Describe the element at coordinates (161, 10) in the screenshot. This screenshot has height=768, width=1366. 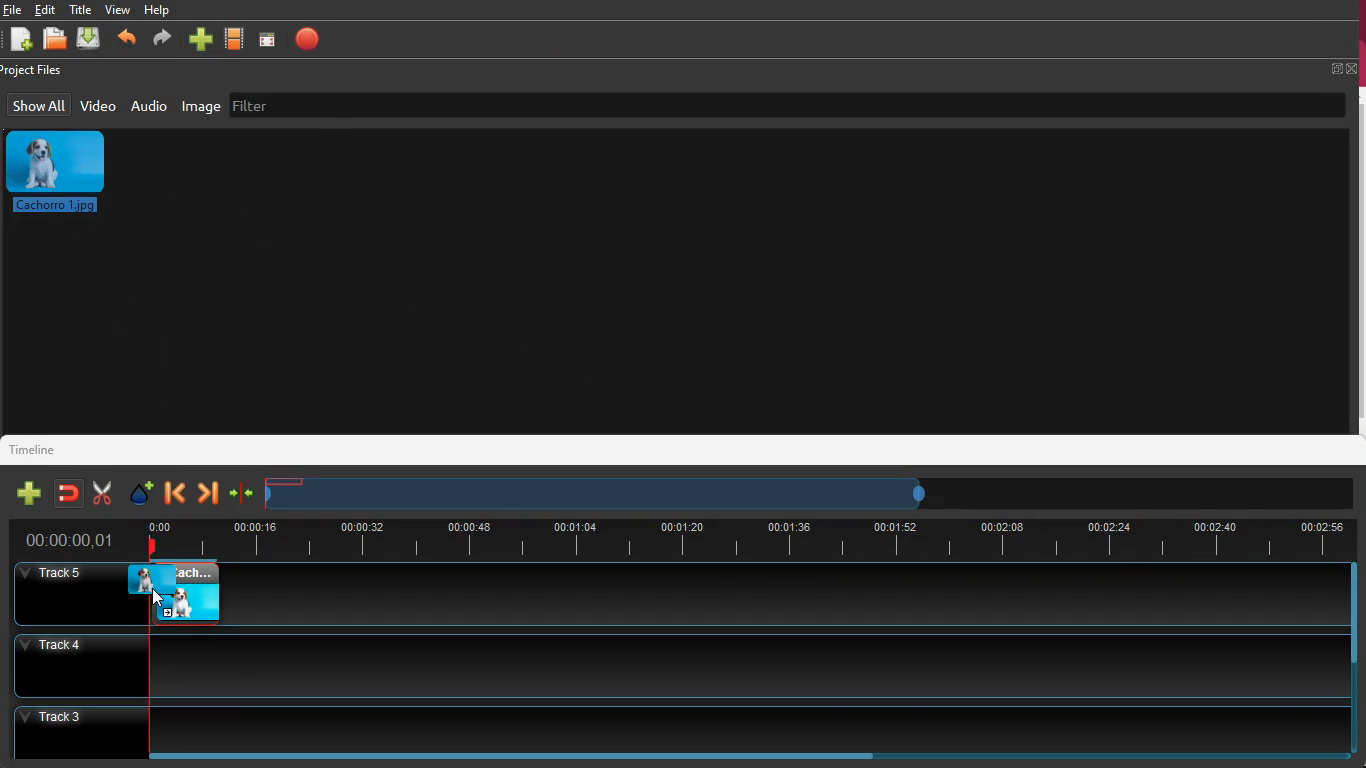
I see `help` at that location.